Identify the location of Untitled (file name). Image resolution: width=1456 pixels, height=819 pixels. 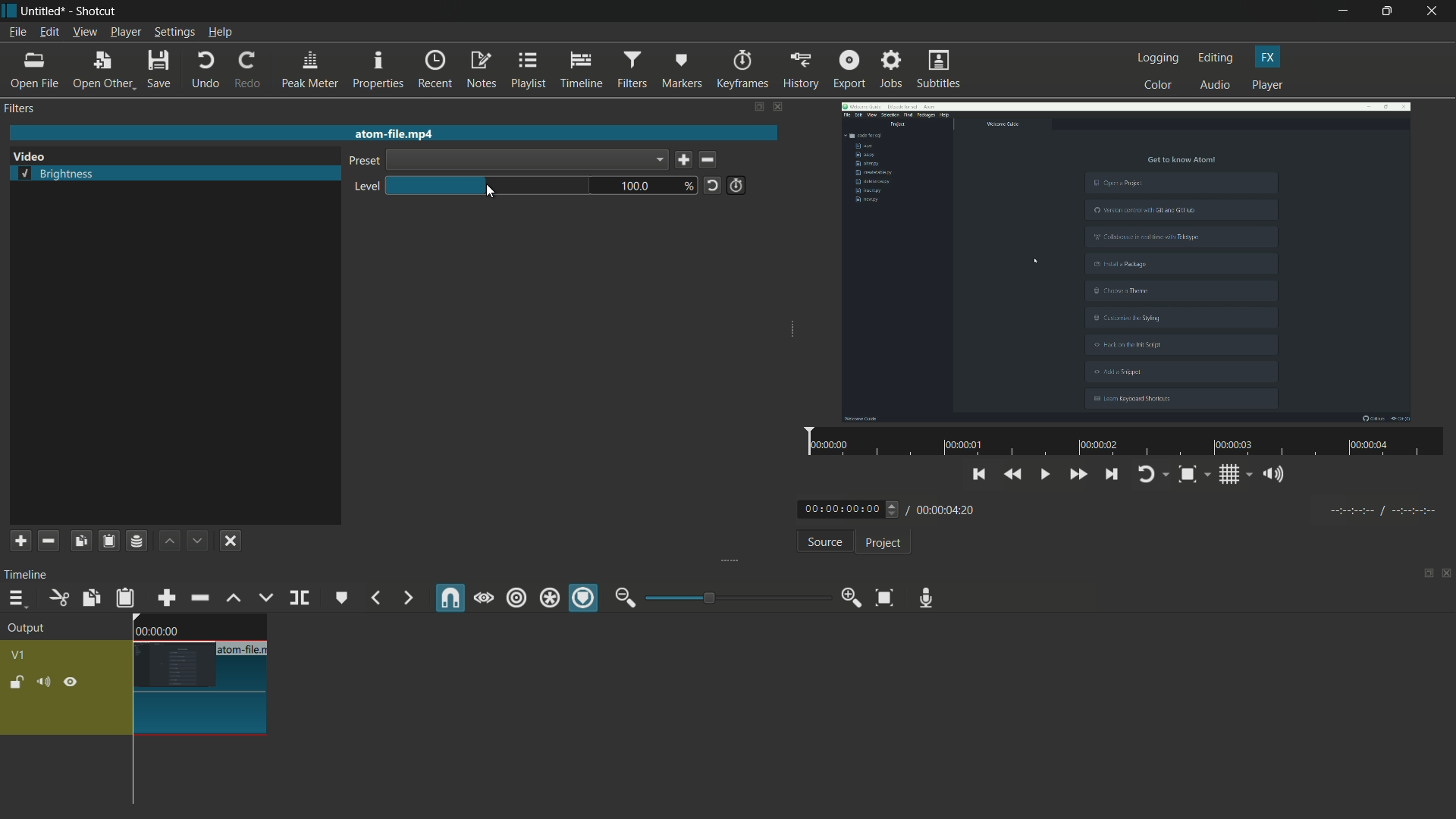
(46, 11).